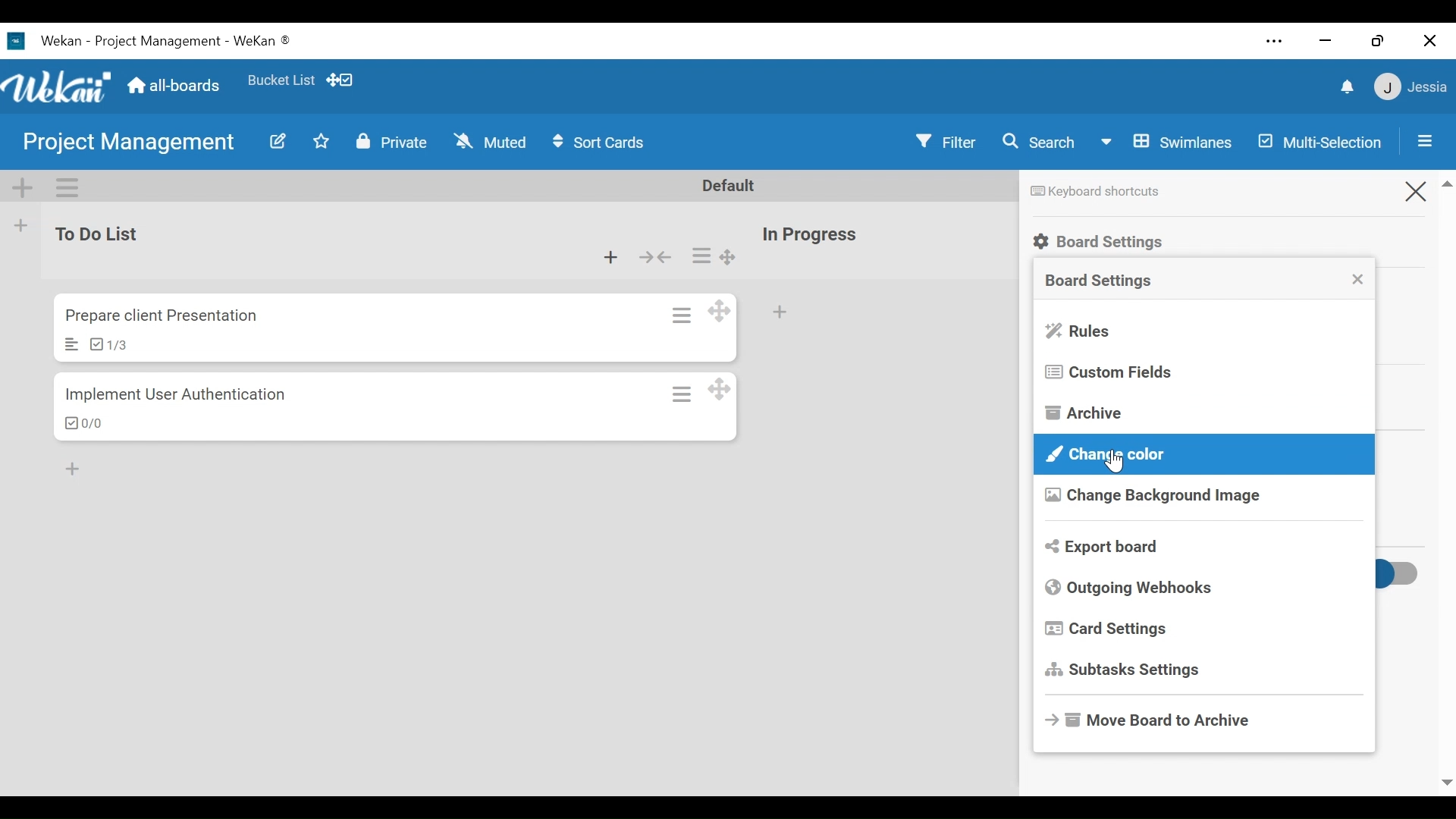 The width and height of the screenshot is (1456, 819). Describe the element at coordinates (1109, 629) in the screenshot. I see `Card Settings` at that location.